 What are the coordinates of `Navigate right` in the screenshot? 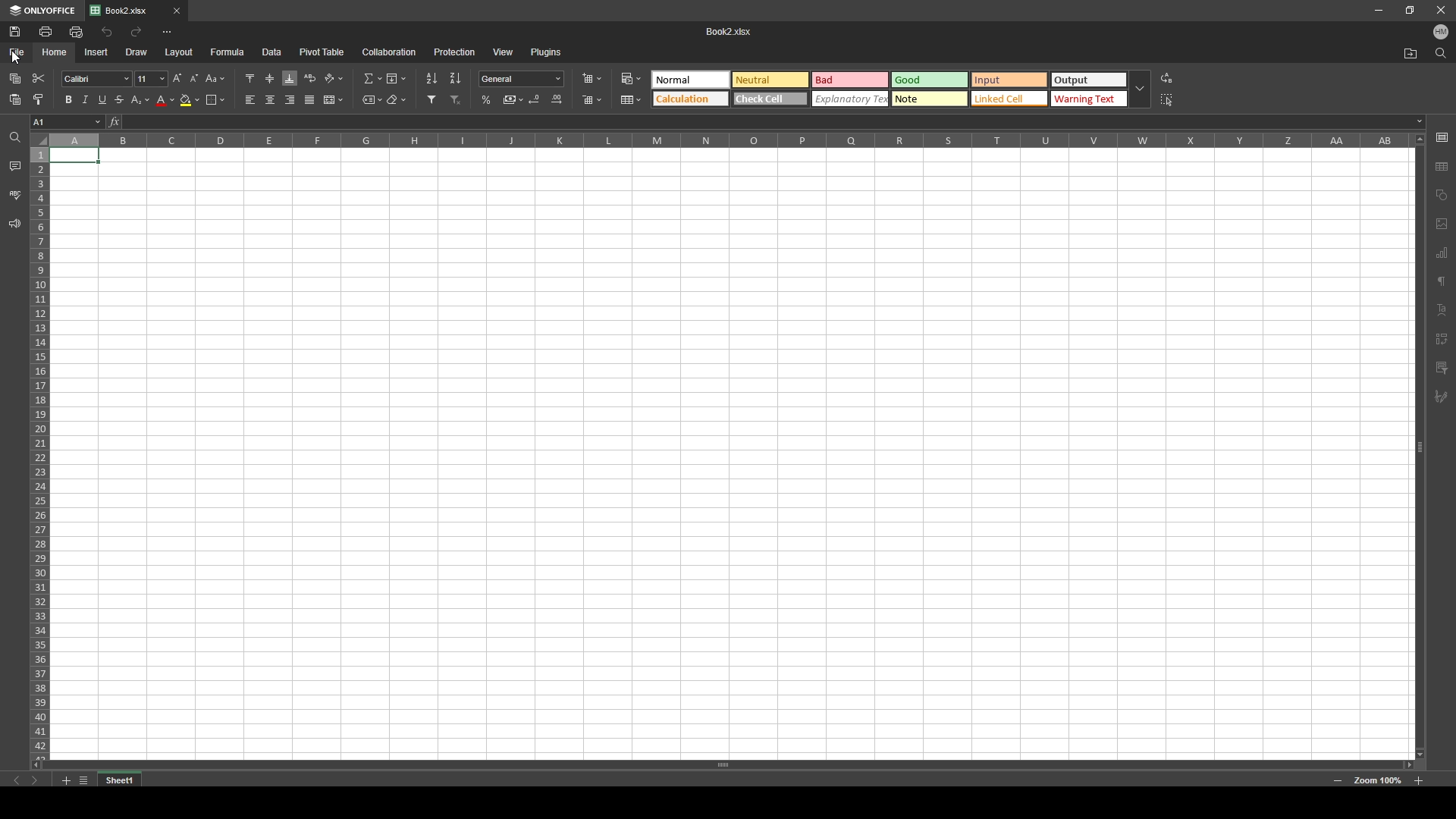 It's located at (33, 764).